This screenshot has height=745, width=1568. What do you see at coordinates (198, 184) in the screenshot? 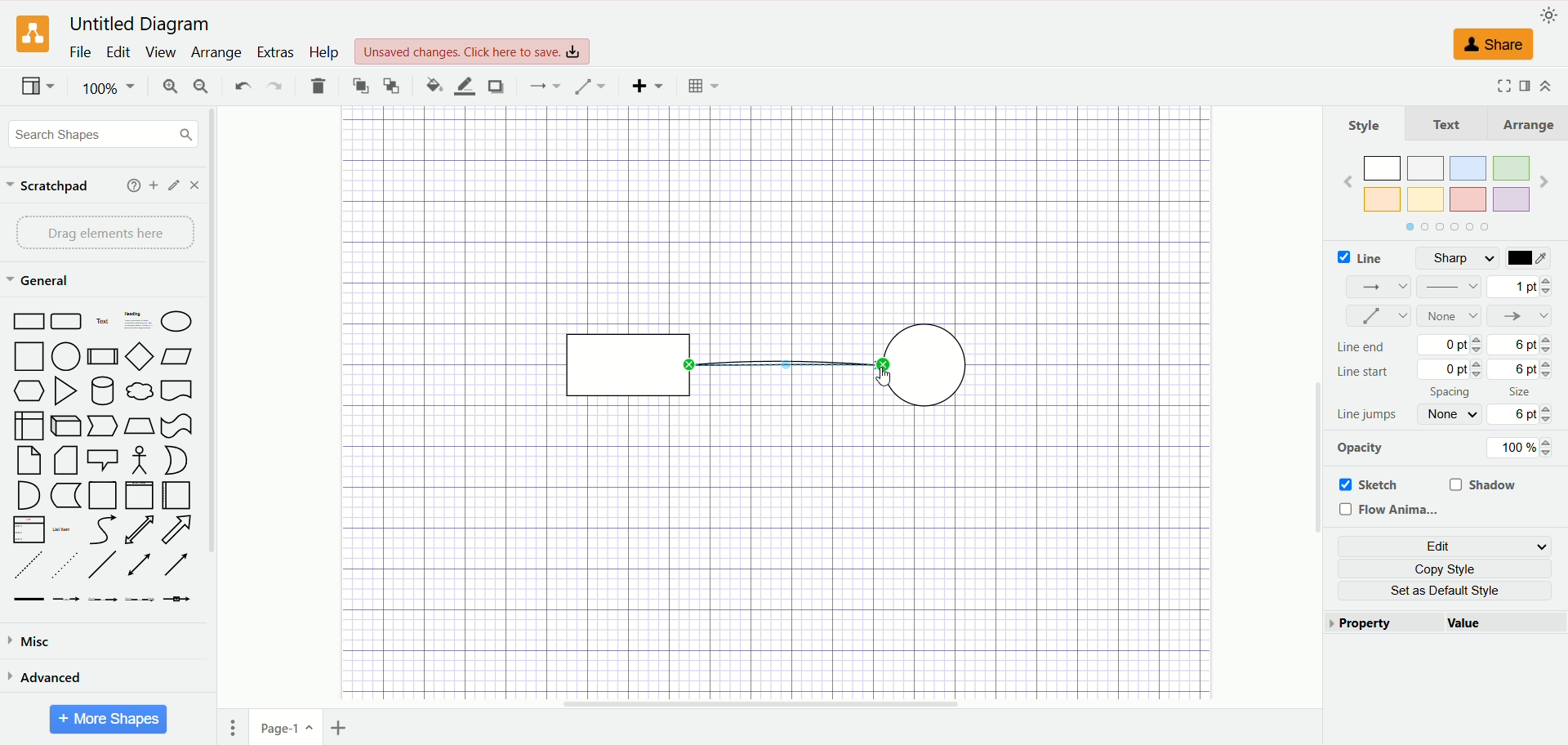
I see `close` at bounding box center [198, 184].